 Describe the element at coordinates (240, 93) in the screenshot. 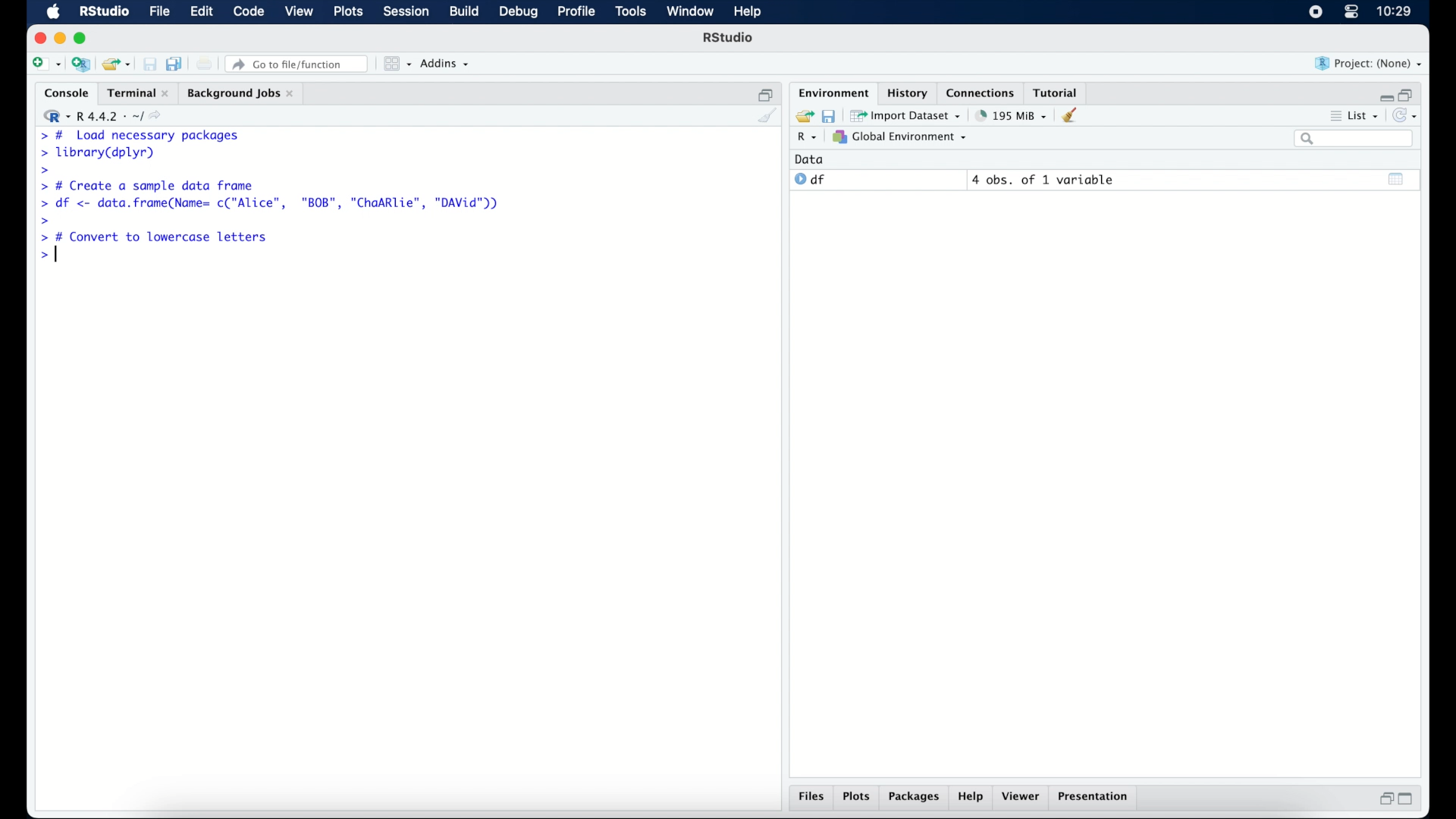

I see `background jobs` at that location.